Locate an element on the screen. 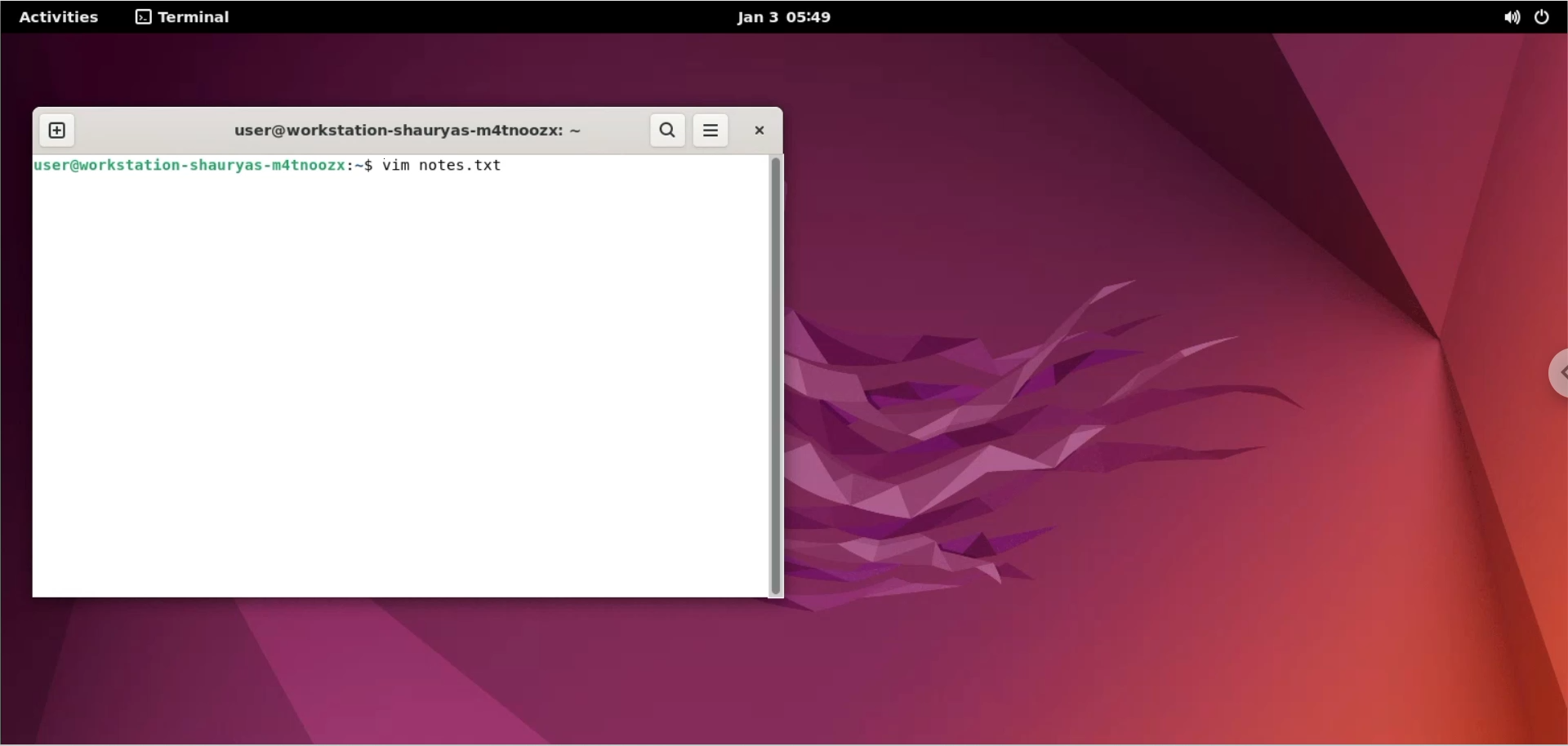 This screenshot has height=746, width=1568. user@workstation-shauryas-m4tnoozx: ~$ is located at coordinates (203, 165).